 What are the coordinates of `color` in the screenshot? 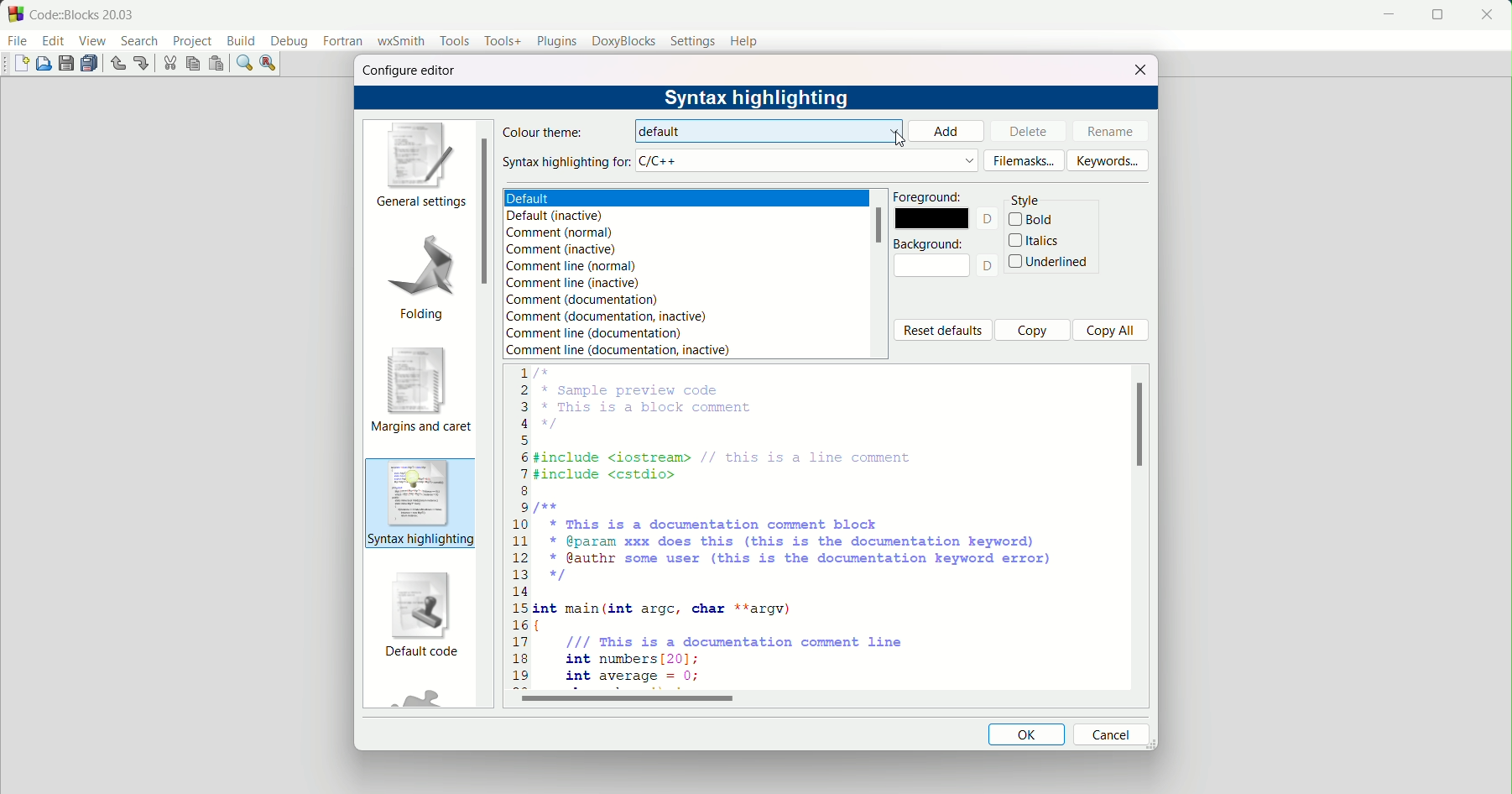 It's located at (932, 218).